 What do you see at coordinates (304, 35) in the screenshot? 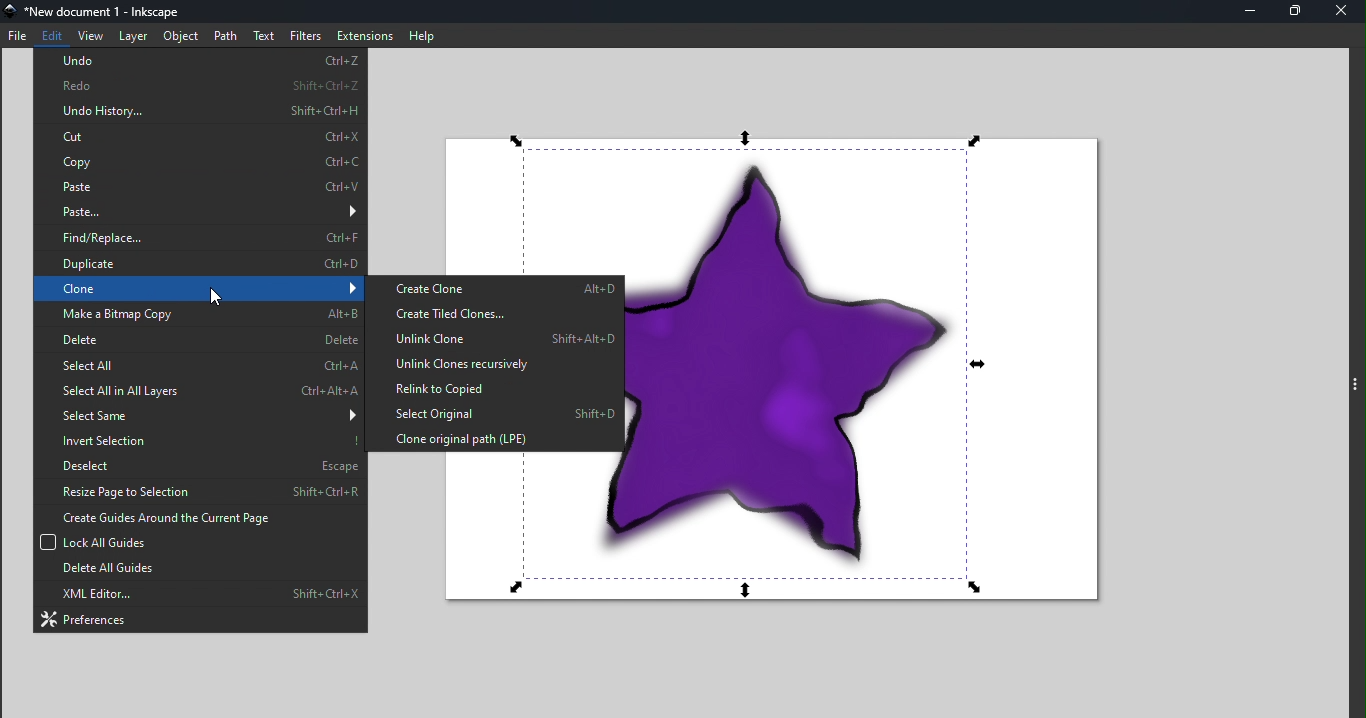
I see `Filters` at bounding box center [304, 35].